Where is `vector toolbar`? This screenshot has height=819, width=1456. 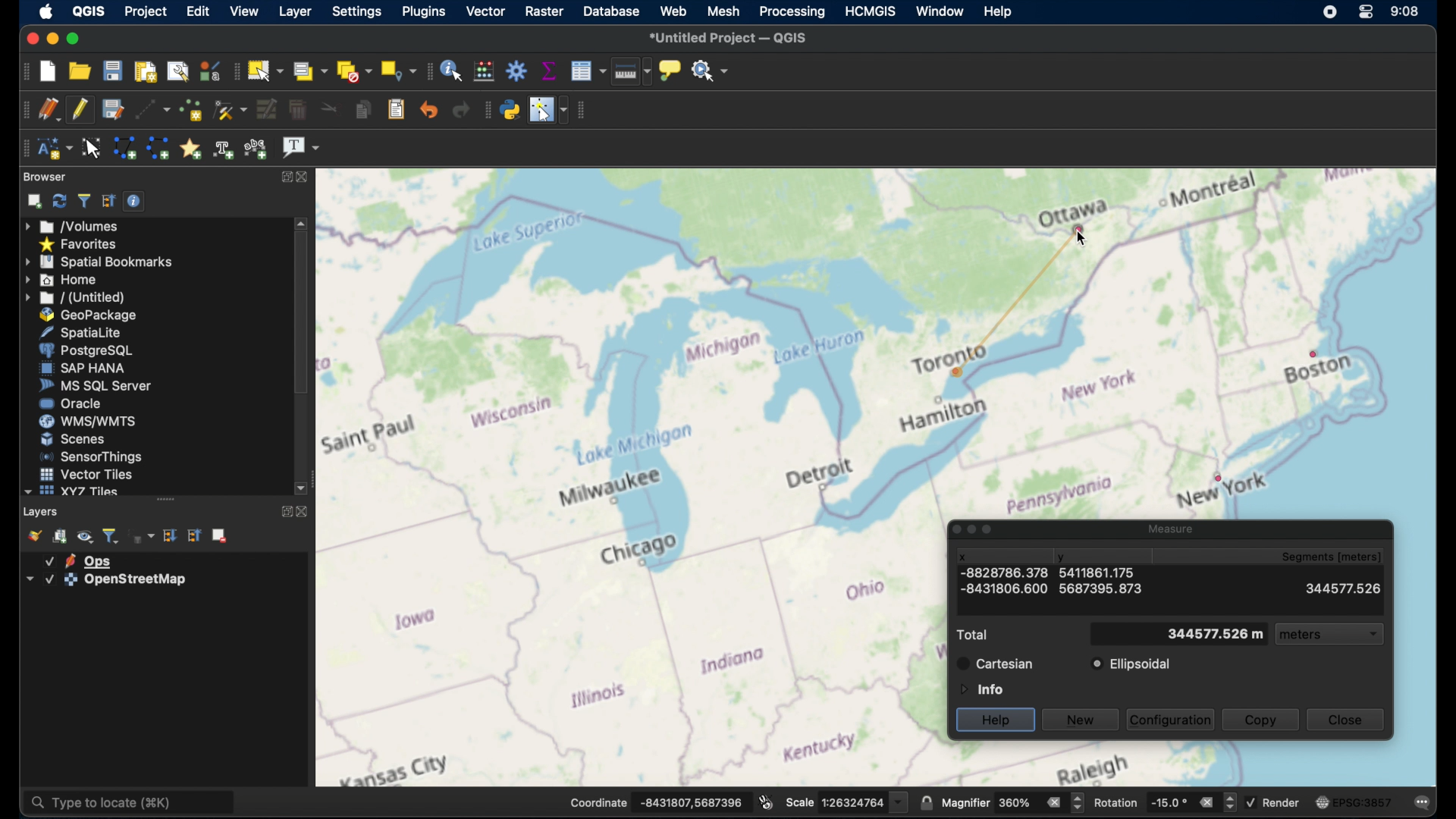
vector toolbar is located at coordinates (584, 111).